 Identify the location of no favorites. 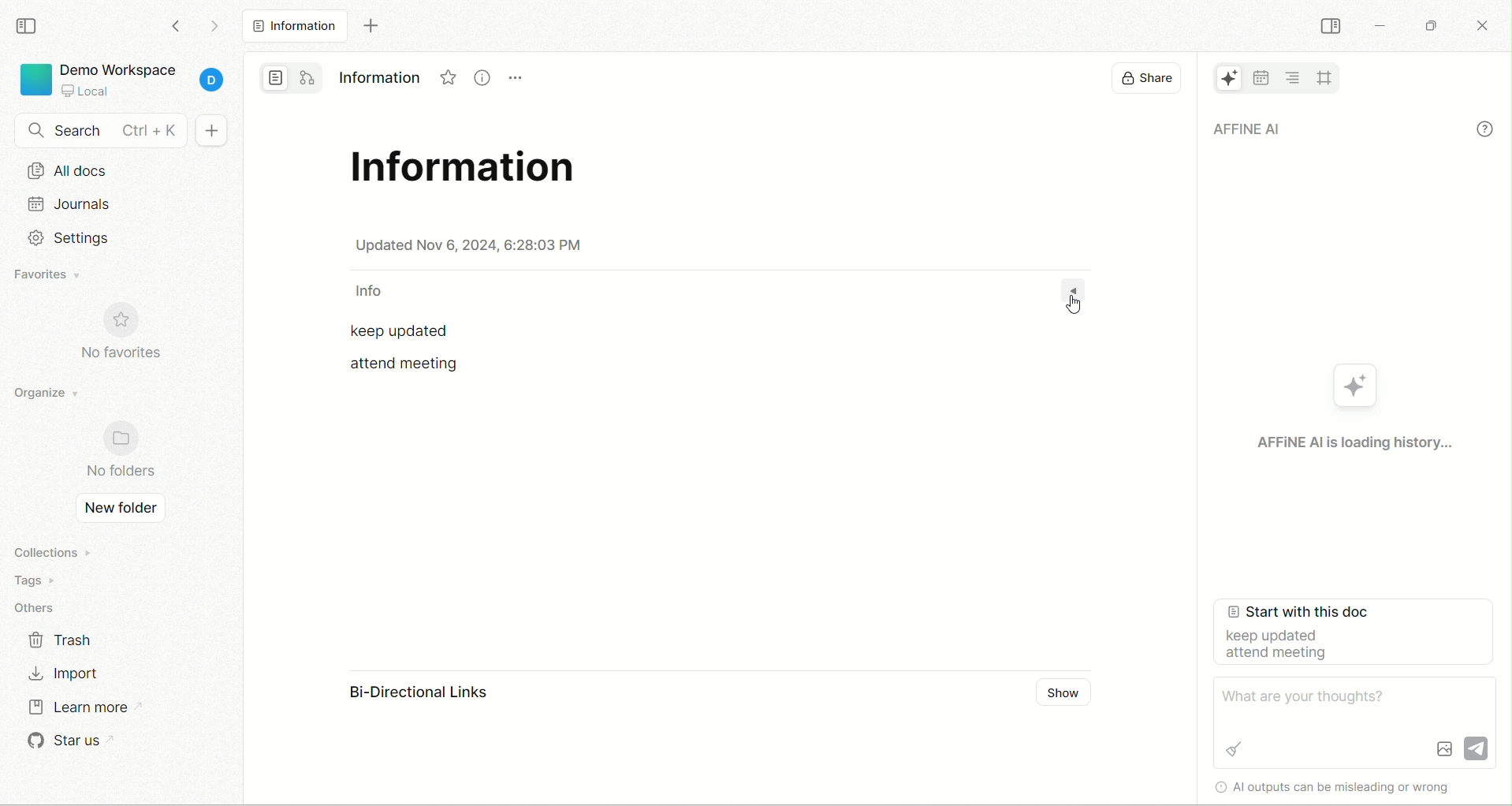
(123, 333).